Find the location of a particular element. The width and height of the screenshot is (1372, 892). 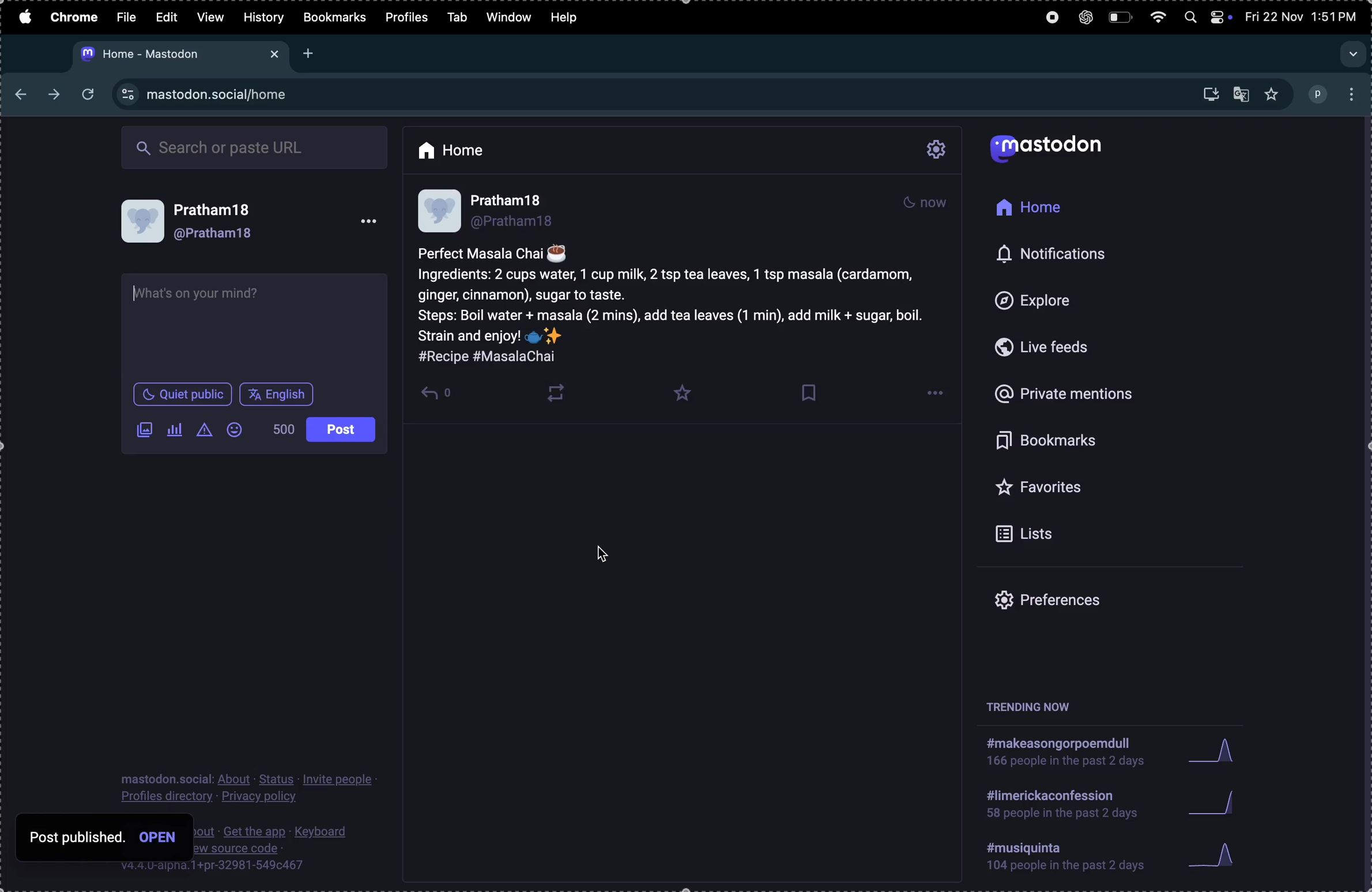

settings is located at coordinates (937, 150).